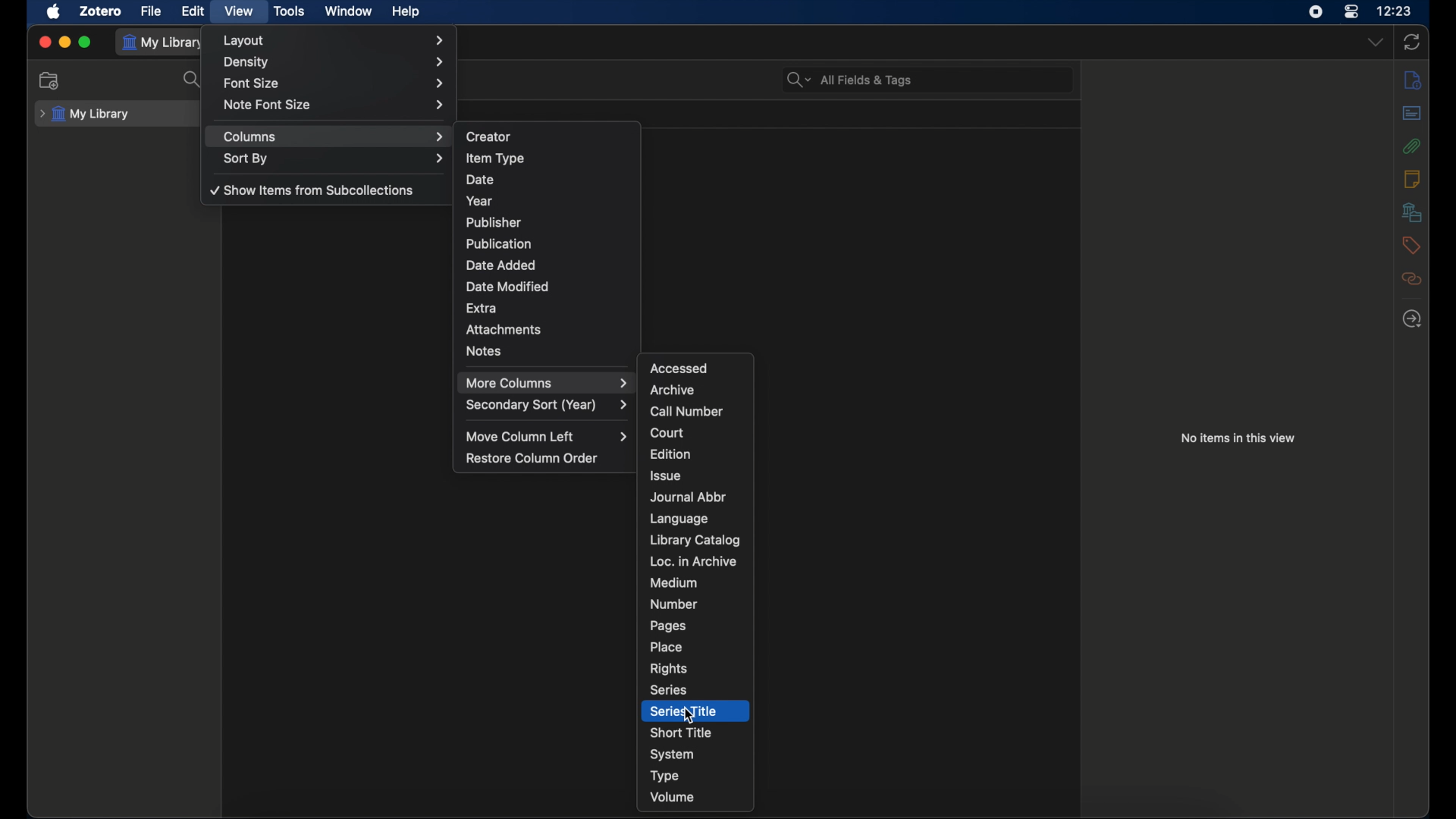  I want to click on call number, so click(688, 412).